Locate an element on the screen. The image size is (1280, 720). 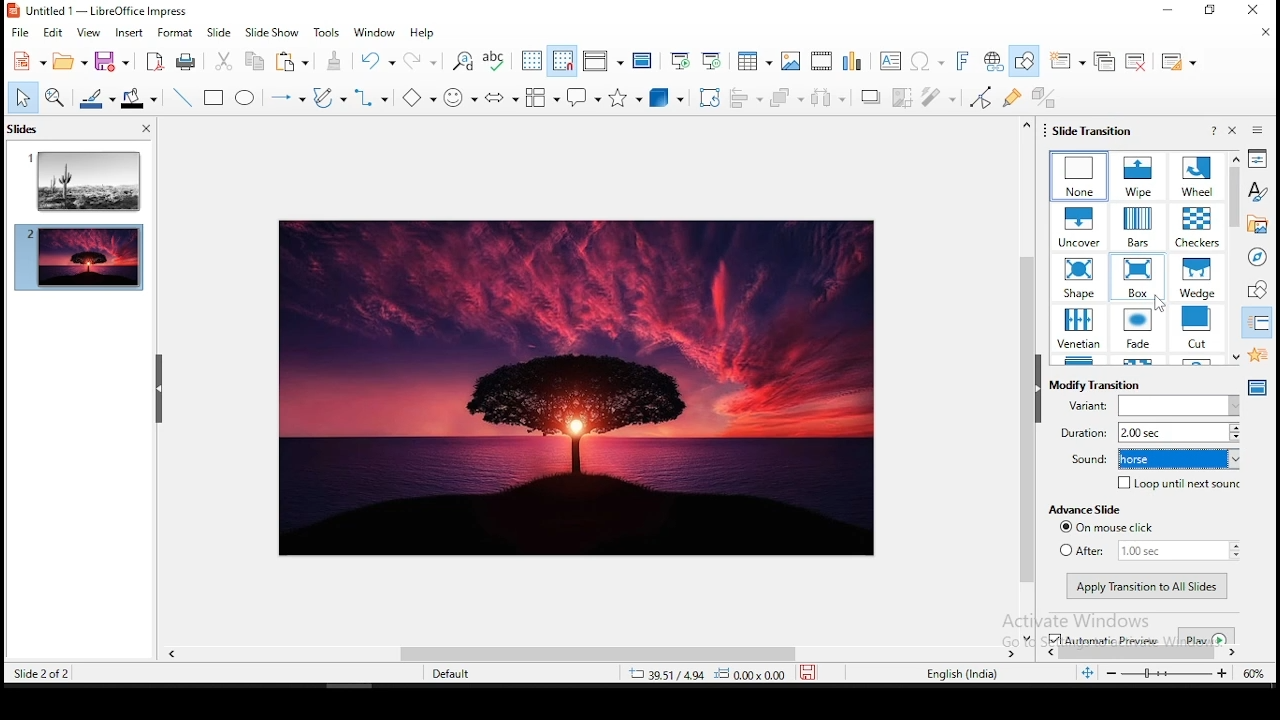
fill color is located at coordinates (141, 97).